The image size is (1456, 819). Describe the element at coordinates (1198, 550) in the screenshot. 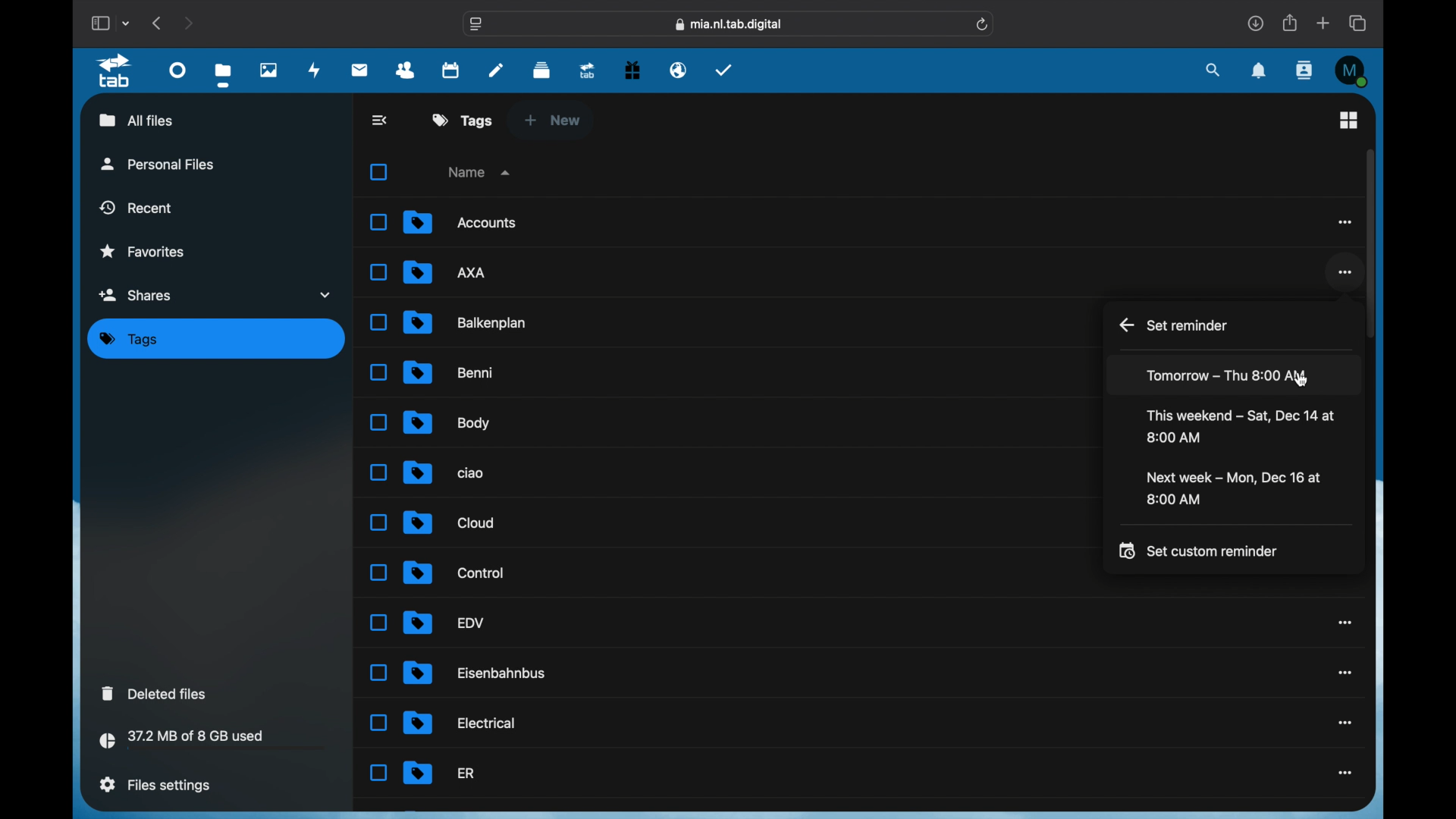

I see `set custom reminder` at that location.